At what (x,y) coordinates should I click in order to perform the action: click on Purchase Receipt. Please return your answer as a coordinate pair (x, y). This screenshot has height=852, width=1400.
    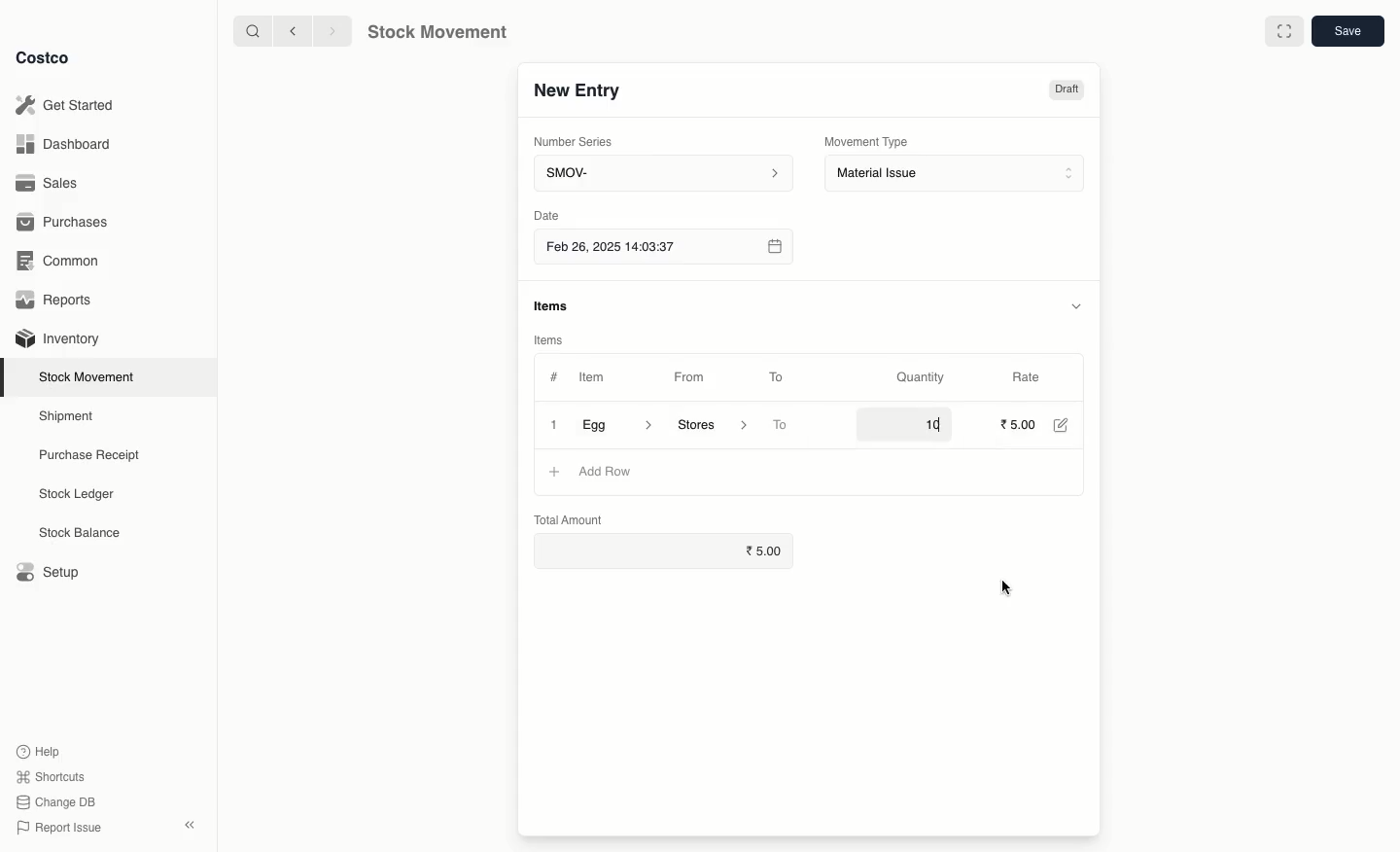
    Looking at the image, I should click on (94, 454).